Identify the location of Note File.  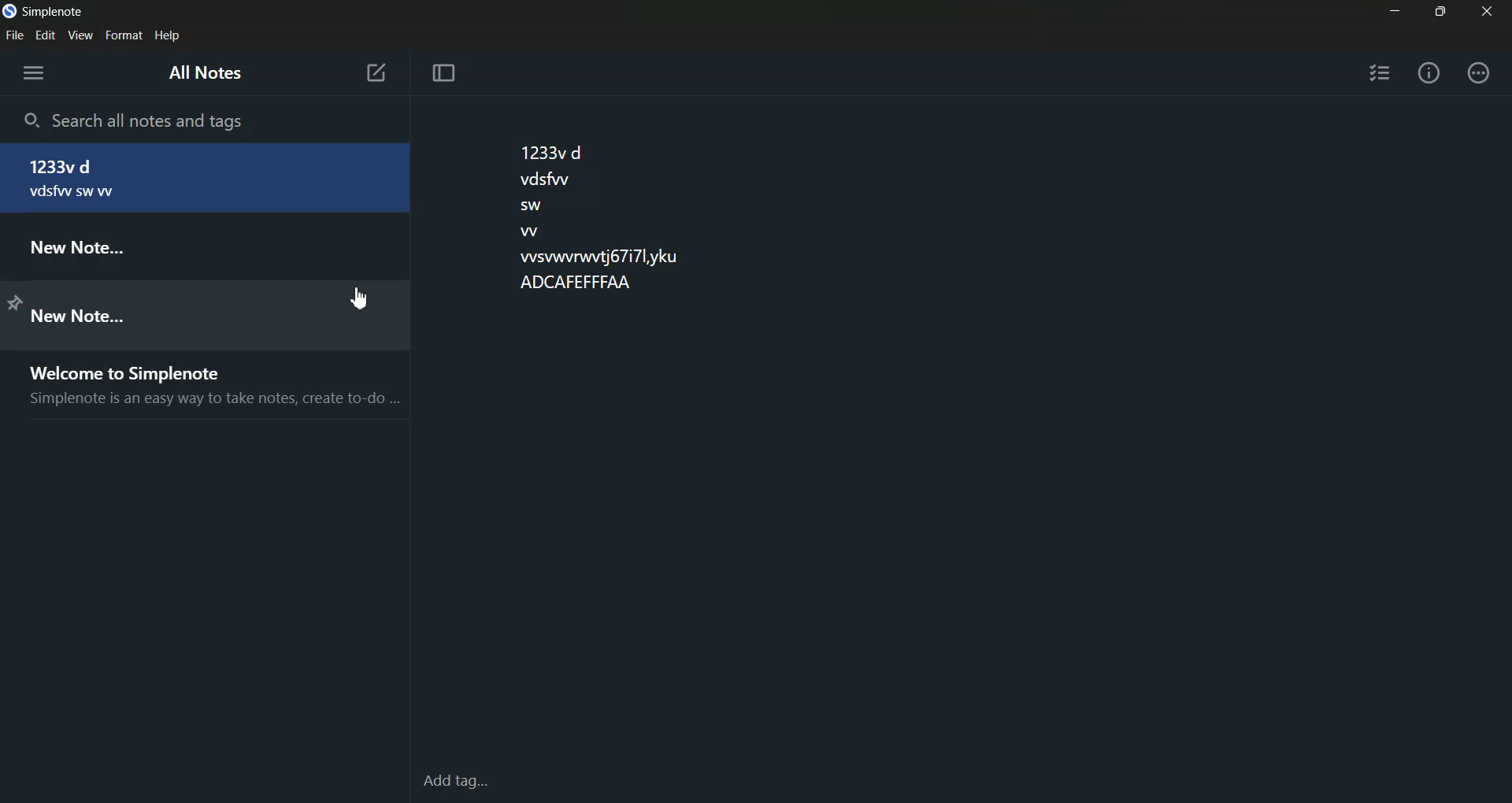
(204, 246).